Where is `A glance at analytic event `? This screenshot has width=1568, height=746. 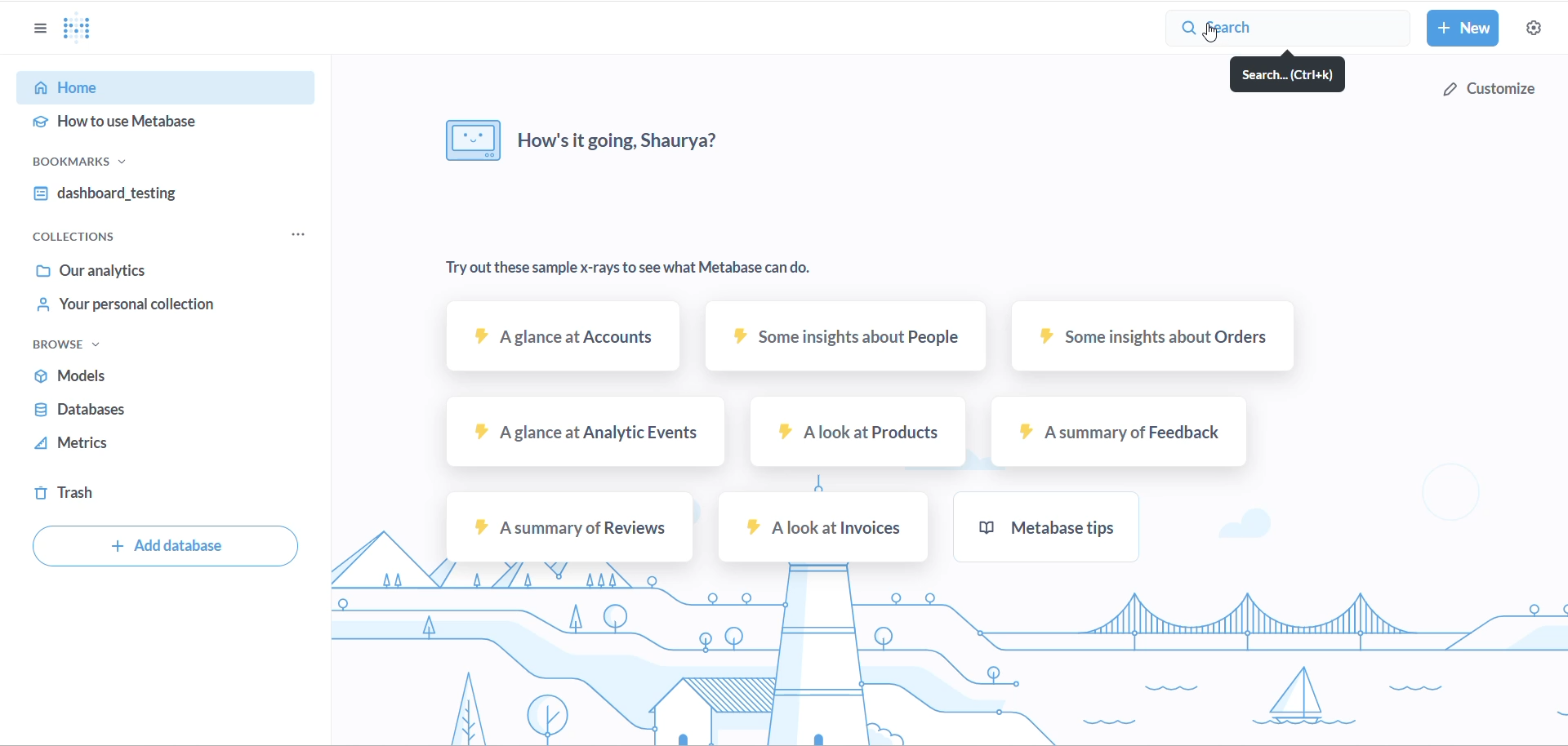
A glance at analytic event  is located at coordinates (589, 433).